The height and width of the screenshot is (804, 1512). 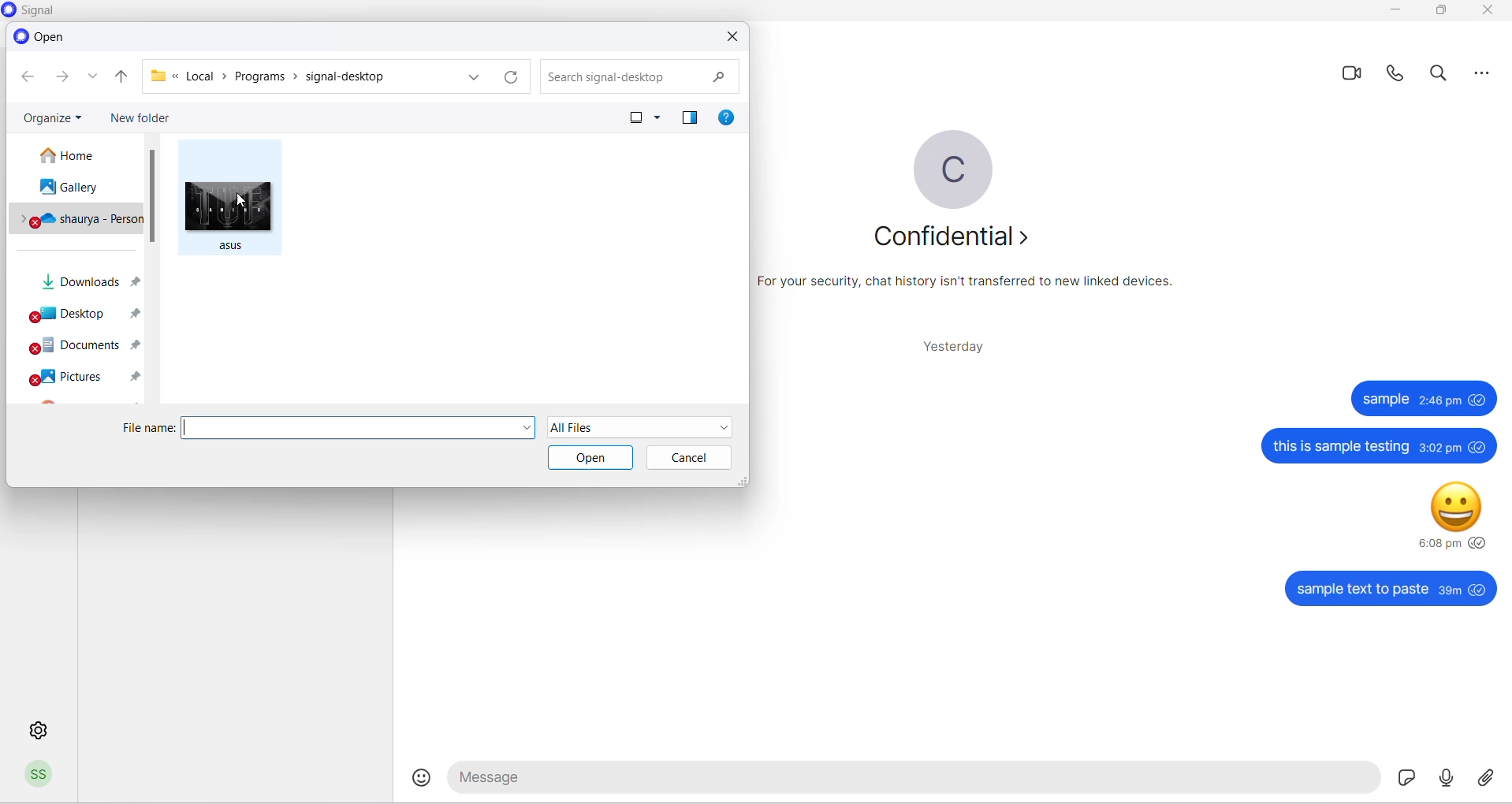 I want to click on go forward, so click(x=61, y=80).